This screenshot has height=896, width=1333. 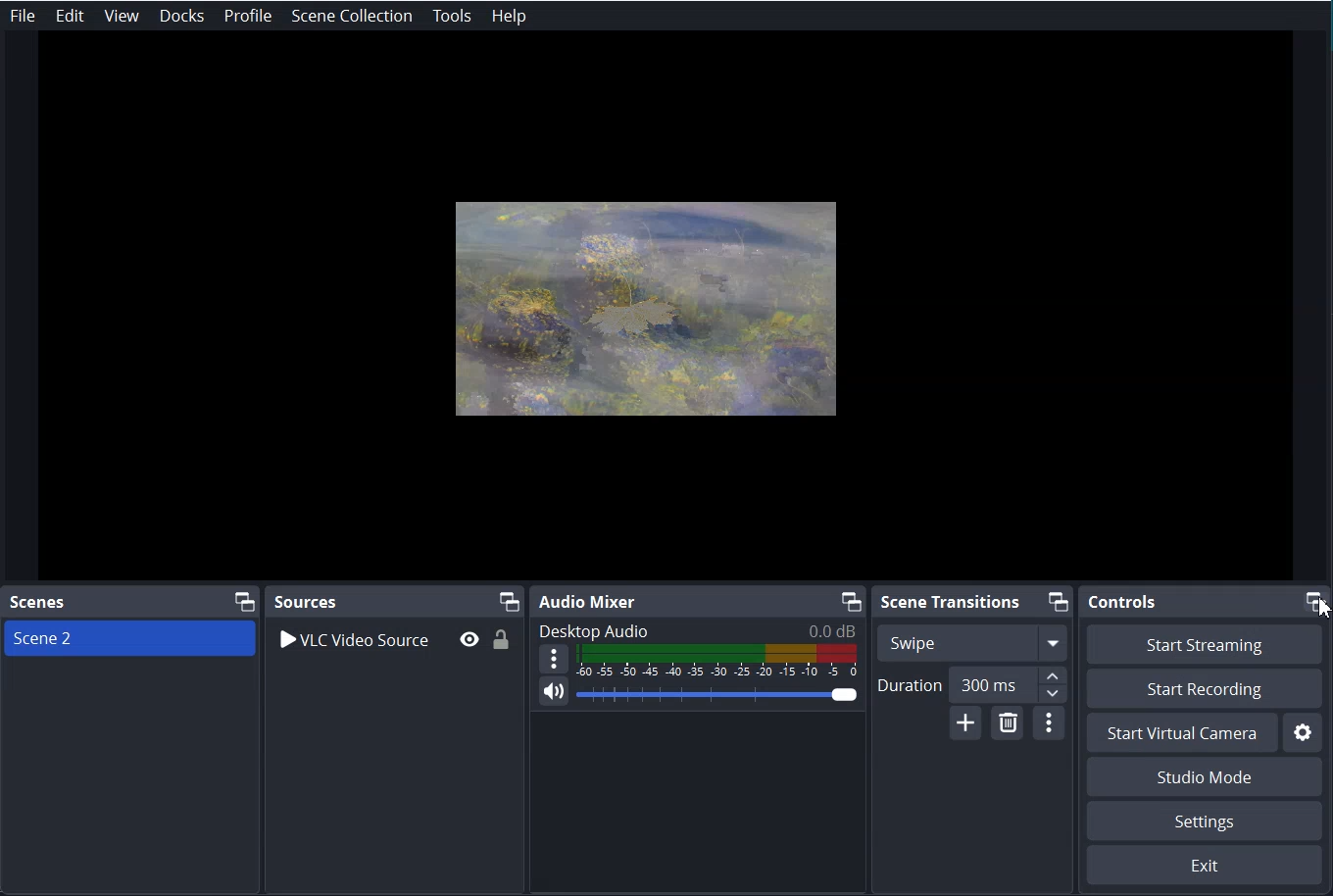 What do you see at coordinates (1206, 776) in the screenshot?
I see `Studio Mode` at bounding box center [1206, 776].